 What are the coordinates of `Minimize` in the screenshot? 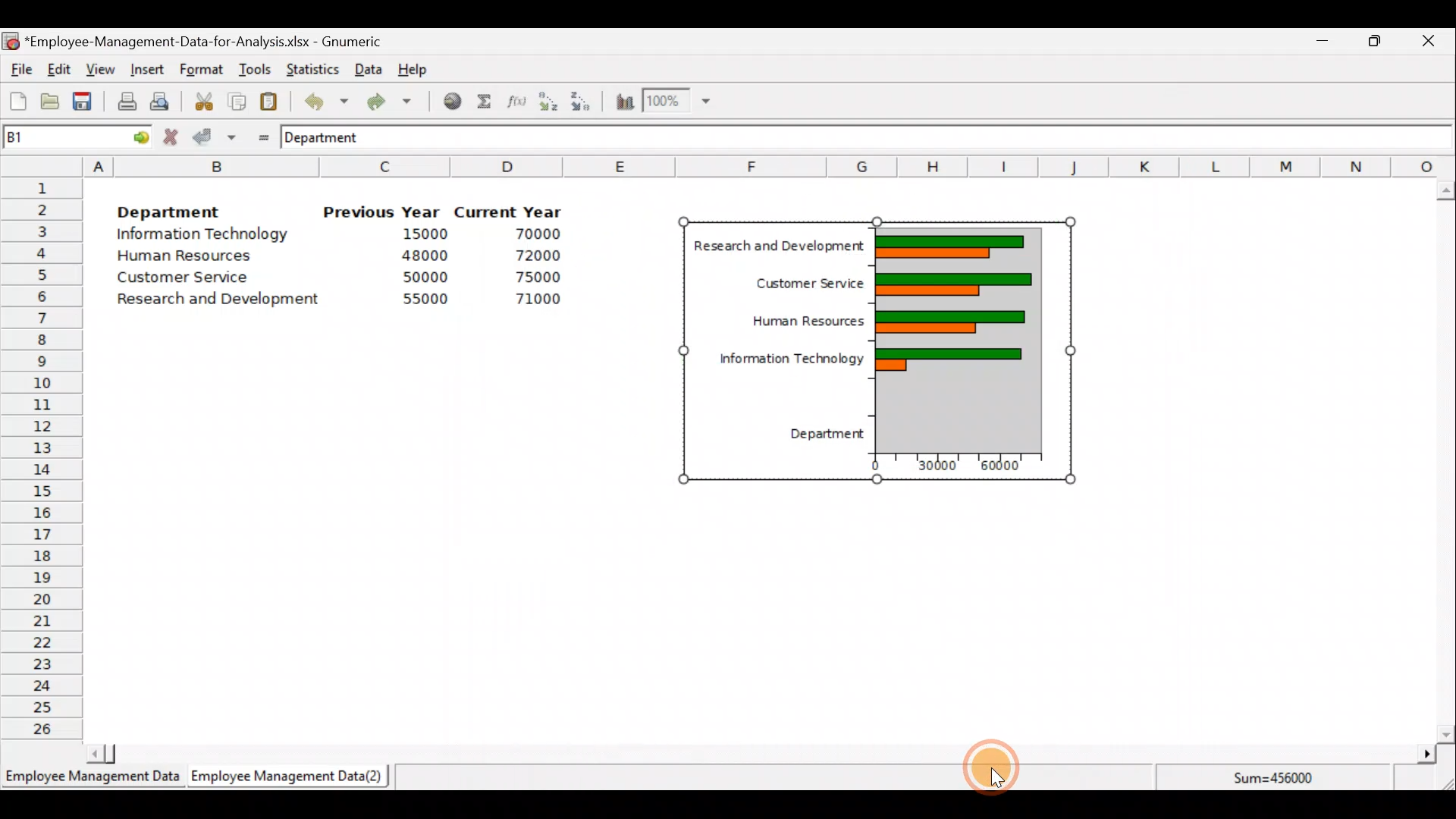 It's located at (1319, 44).